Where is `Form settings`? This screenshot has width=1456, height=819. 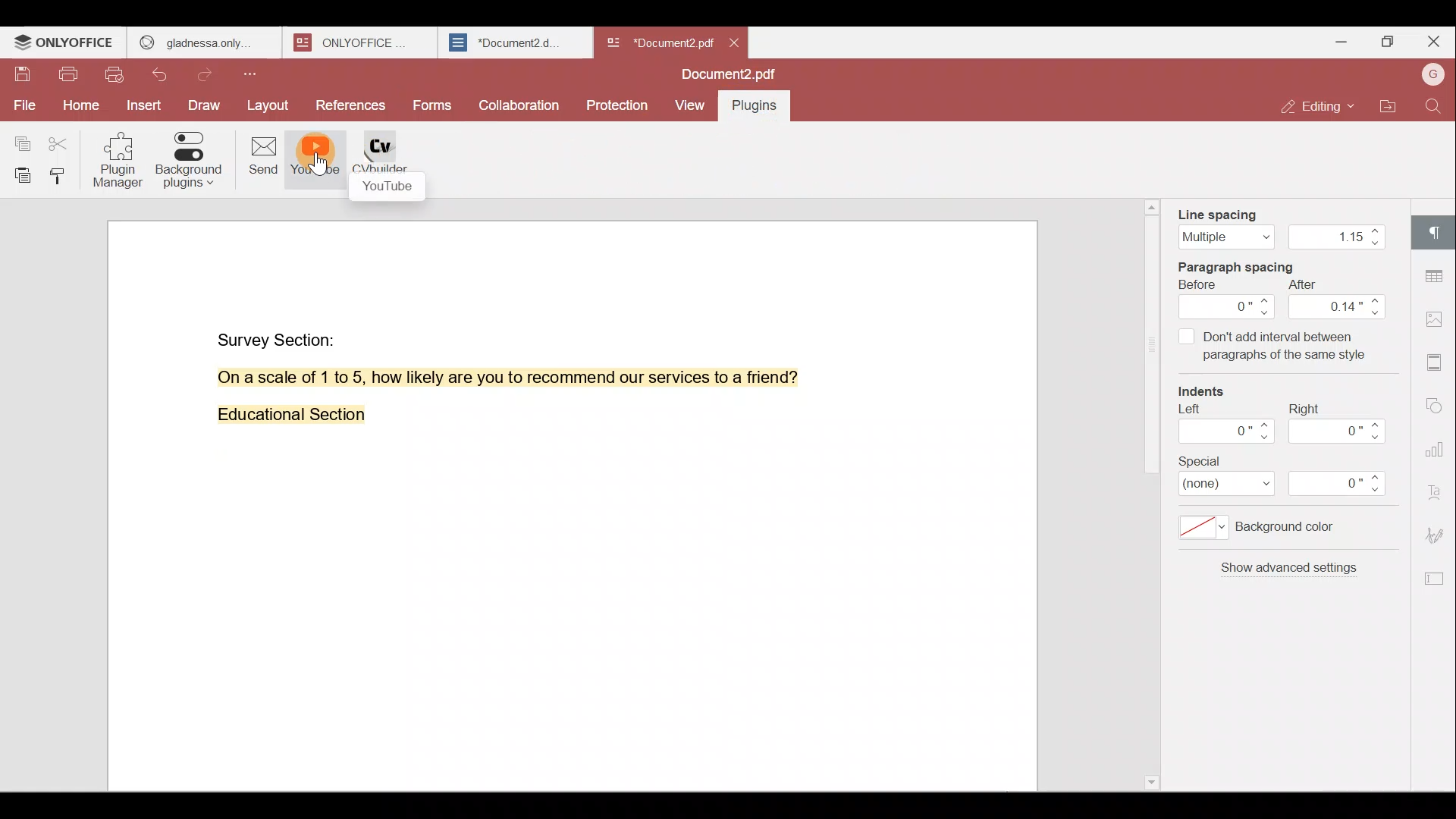
Form settings is located at coordinates (1429, 579).